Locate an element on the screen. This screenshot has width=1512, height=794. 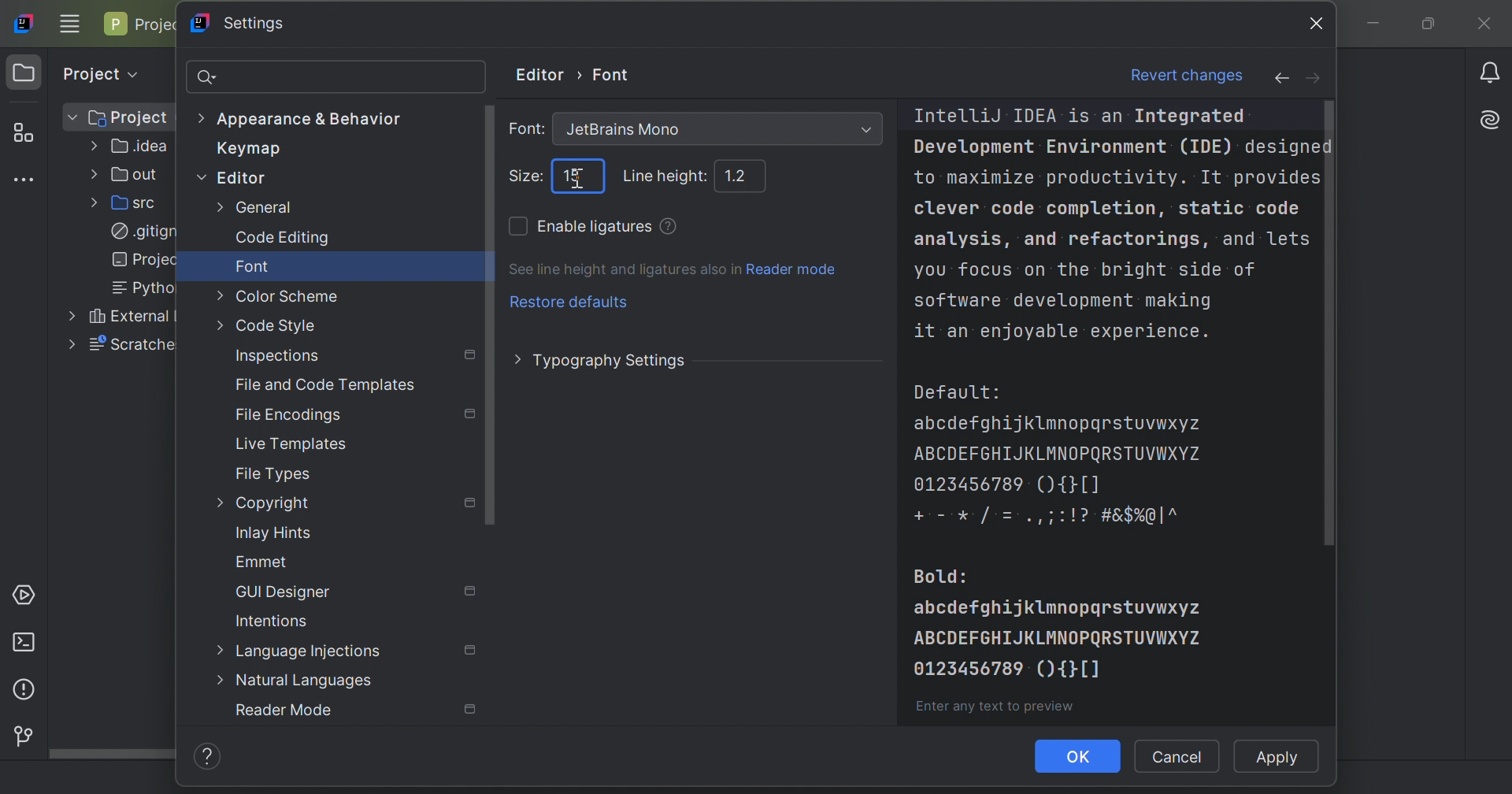
IntelliJ IDEA is an Integrated is located at coordinates (1080, 114).